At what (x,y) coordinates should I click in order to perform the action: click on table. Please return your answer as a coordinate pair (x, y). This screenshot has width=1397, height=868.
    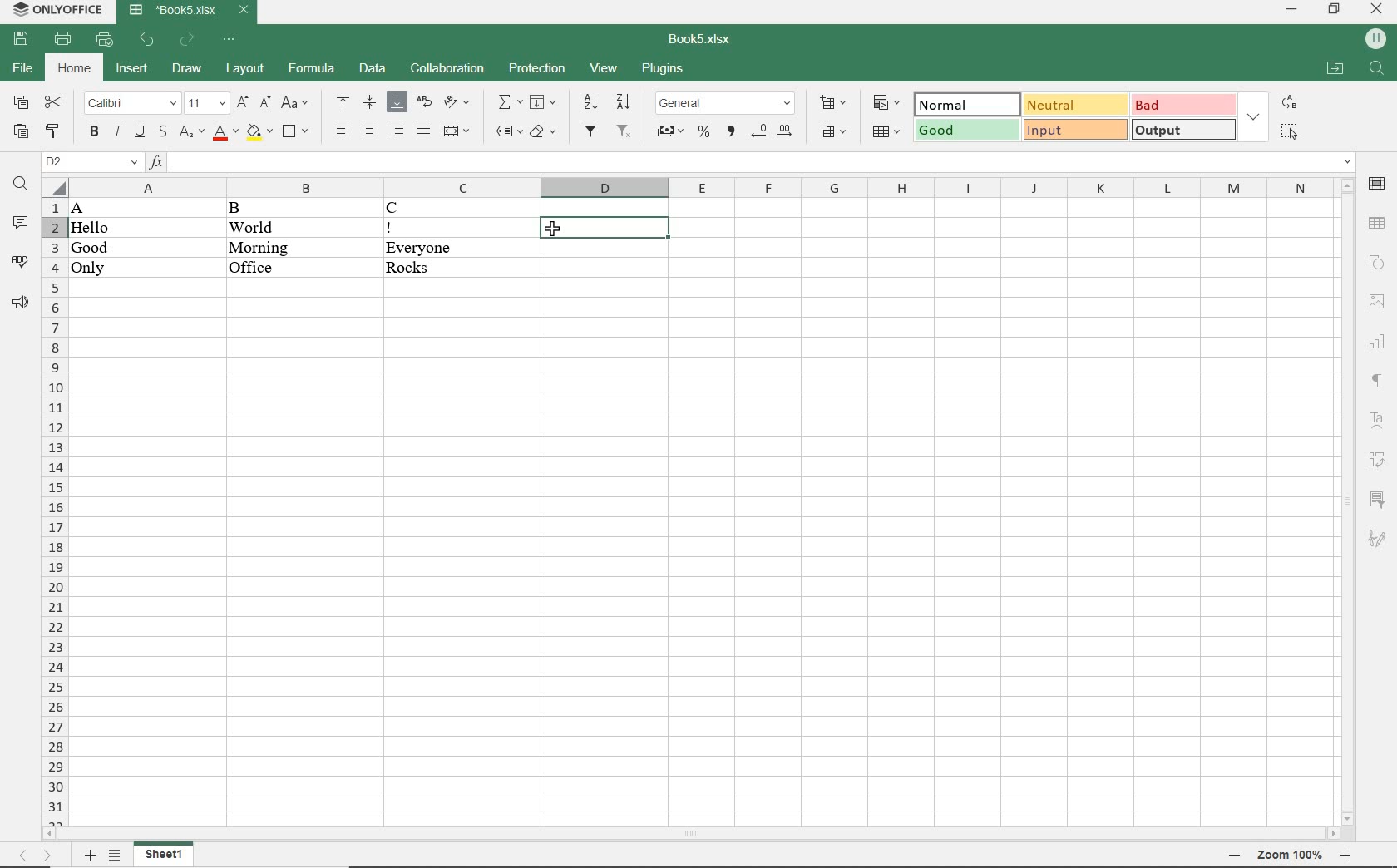
    Looking at the image, I should click on (1377, 223).